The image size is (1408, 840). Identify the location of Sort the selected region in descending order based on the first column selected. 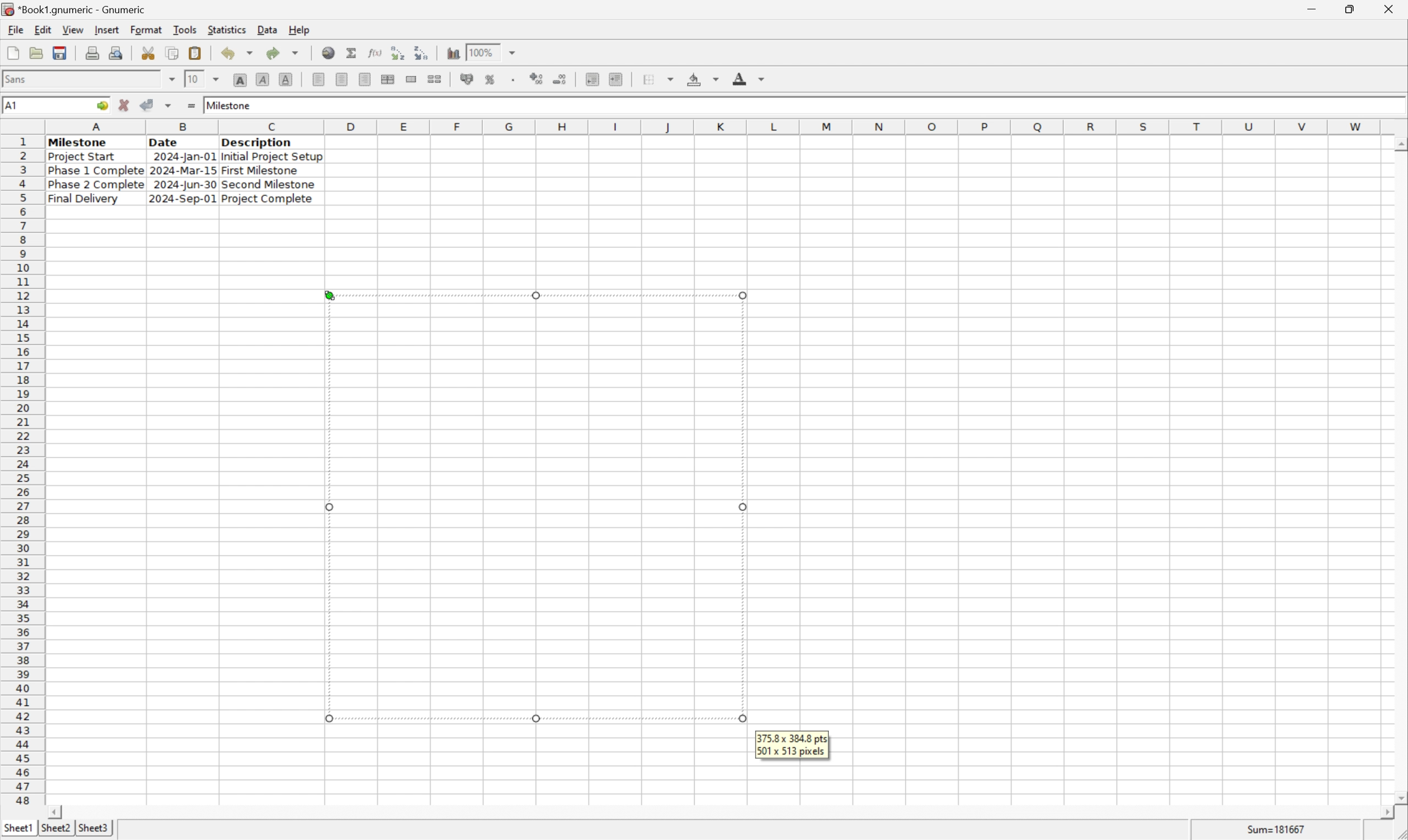
(422, 52).